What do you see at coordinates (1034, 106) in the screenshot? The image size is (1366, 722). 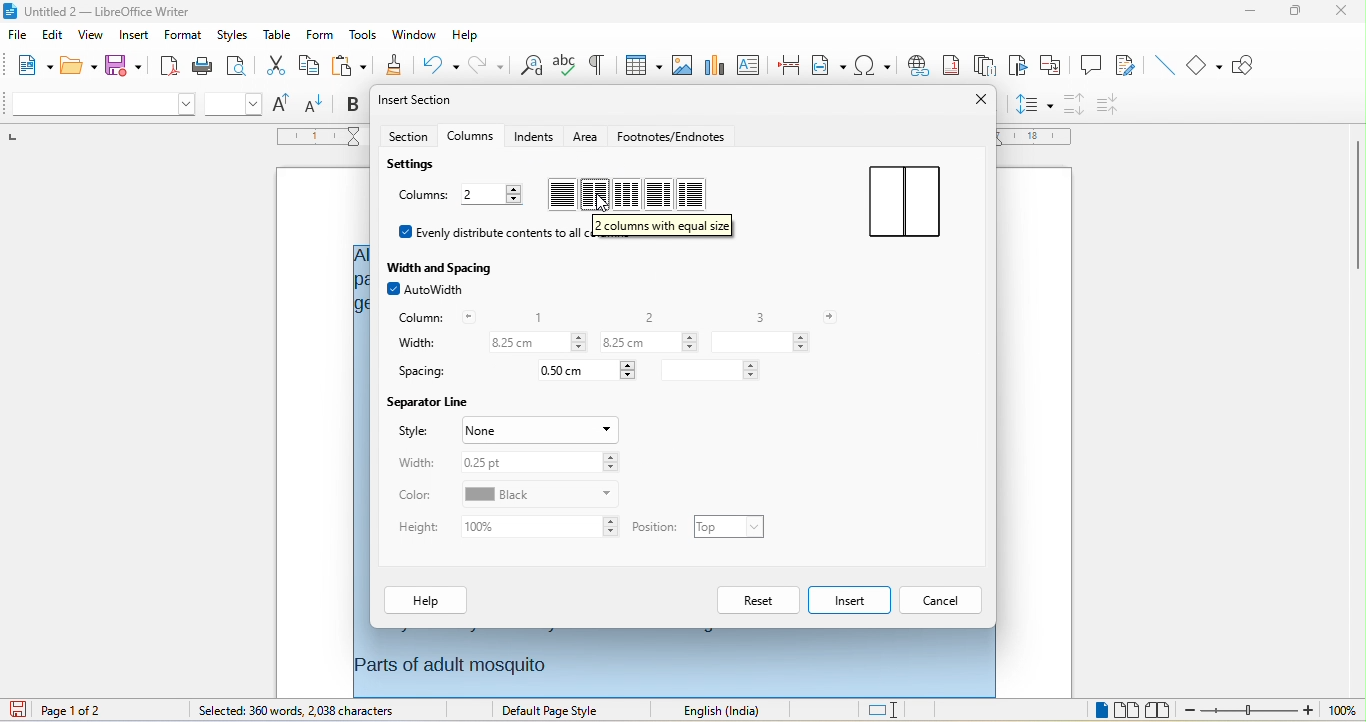 I see `set line spacing` at bounding box center [1034, 106].